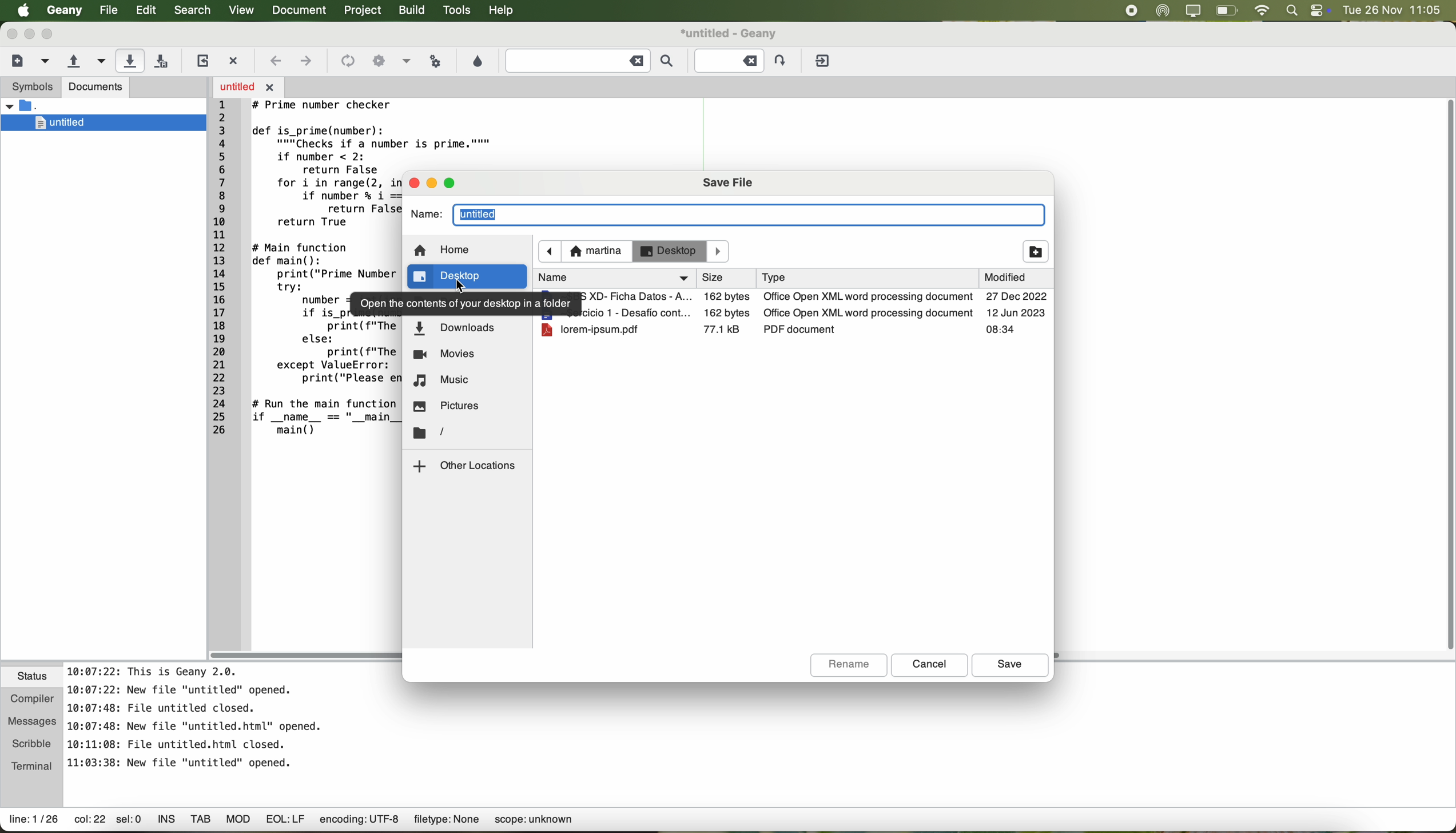 This screenshot has width=1456, height=833. What do you see at coordinates (202, 61) in the screenshot?
I see `reload the current file from disk` at bounding box center [202, 61].